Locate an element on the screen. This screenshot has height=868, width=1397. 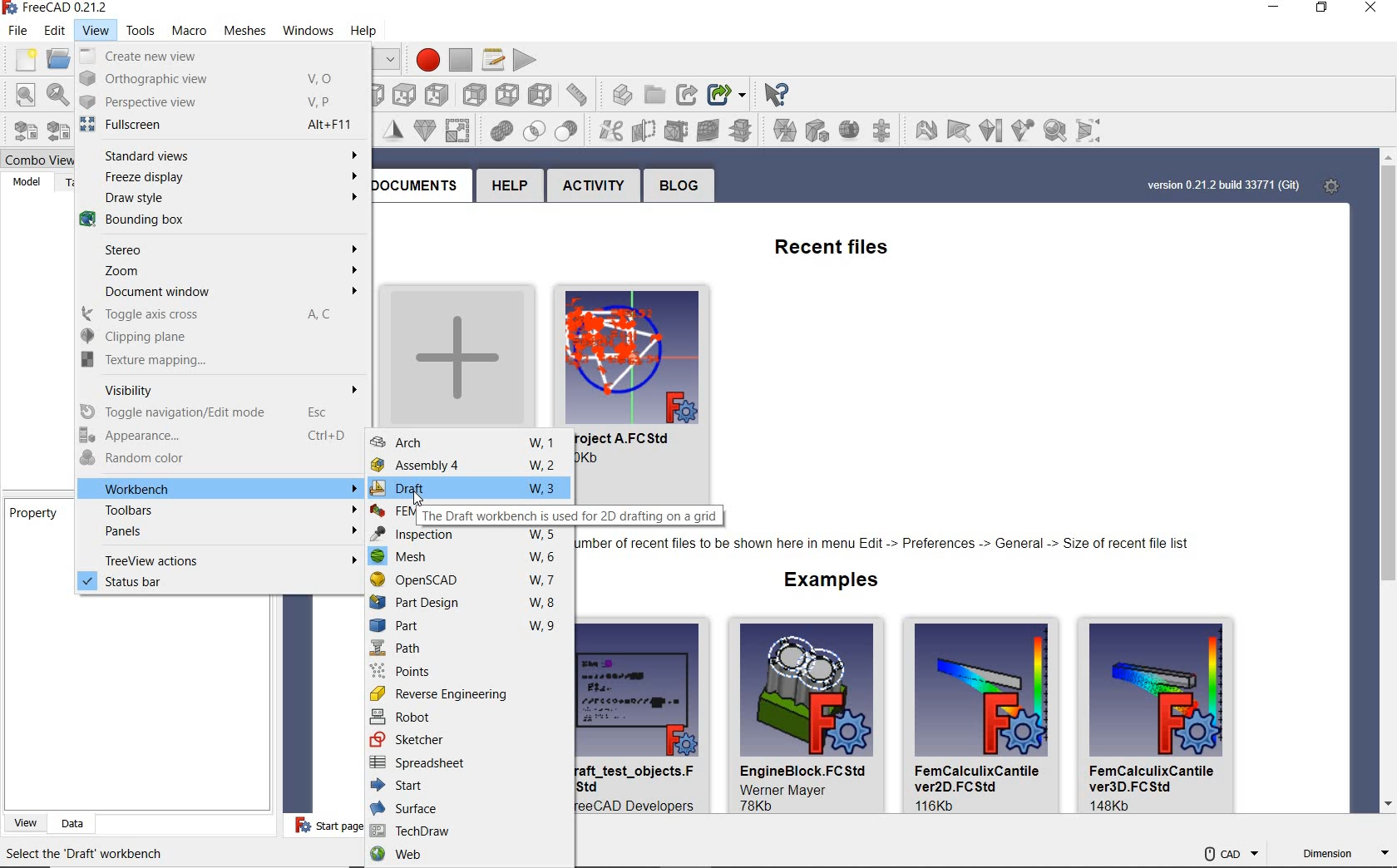
tasks is located at coordinates (68, 182).